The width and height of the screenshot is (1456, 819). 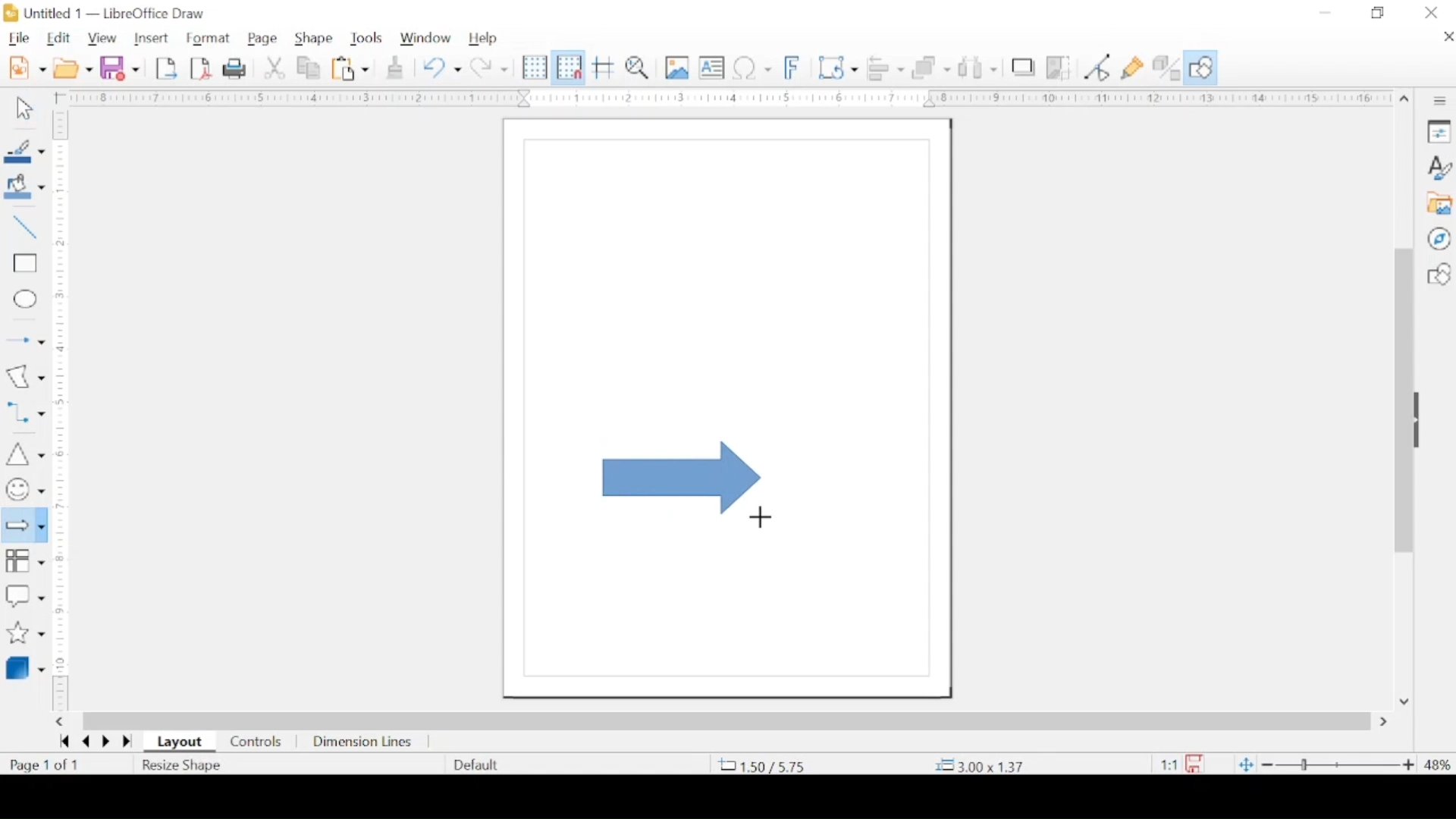 What do you see at coordinates (25, 634) in the screenshot?
I see `stars and banners` at bounding box center [25, 634].